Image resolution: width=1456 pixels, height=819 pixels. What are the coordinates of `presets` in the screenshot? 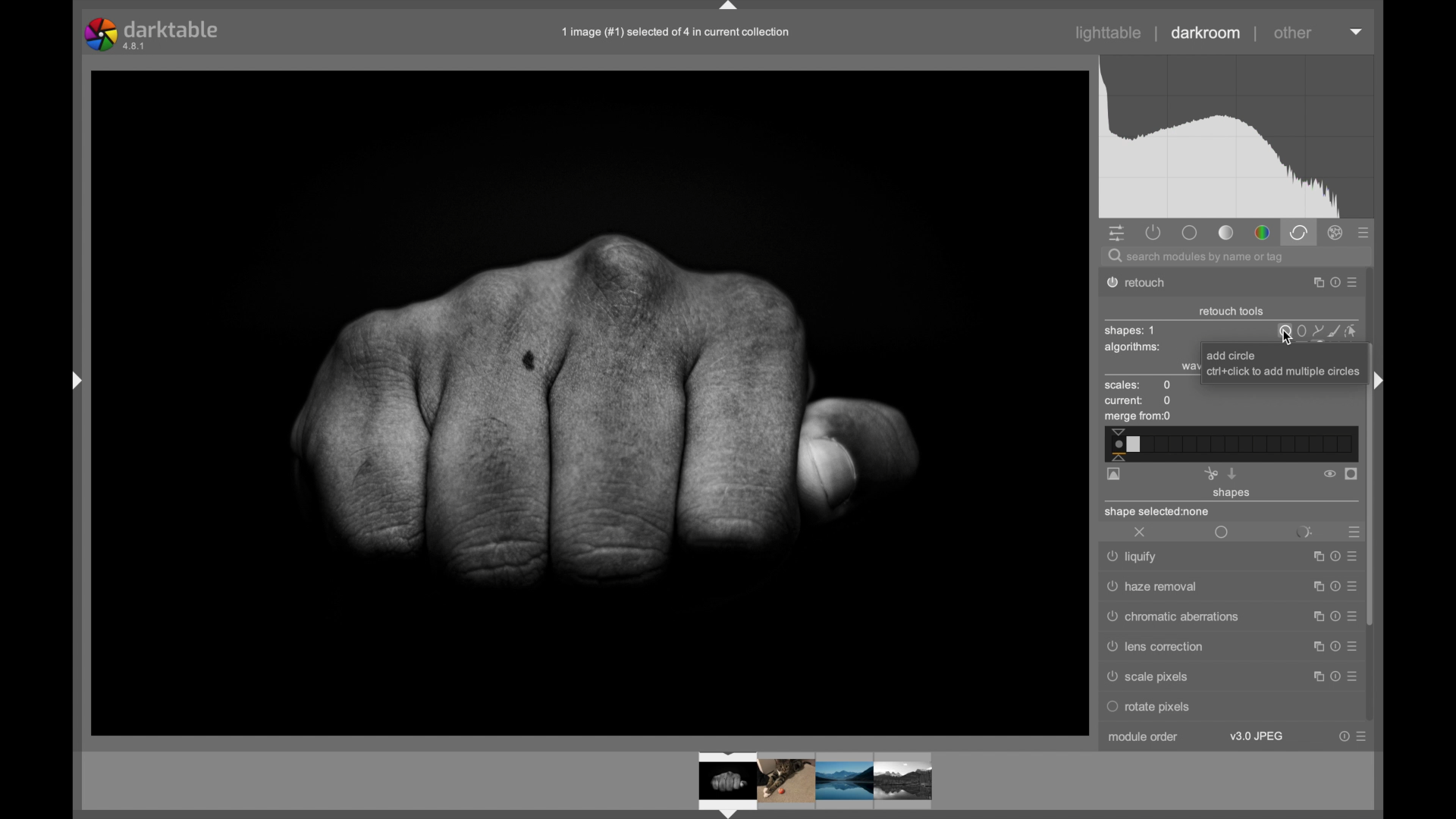 It's located at (1352, 532).